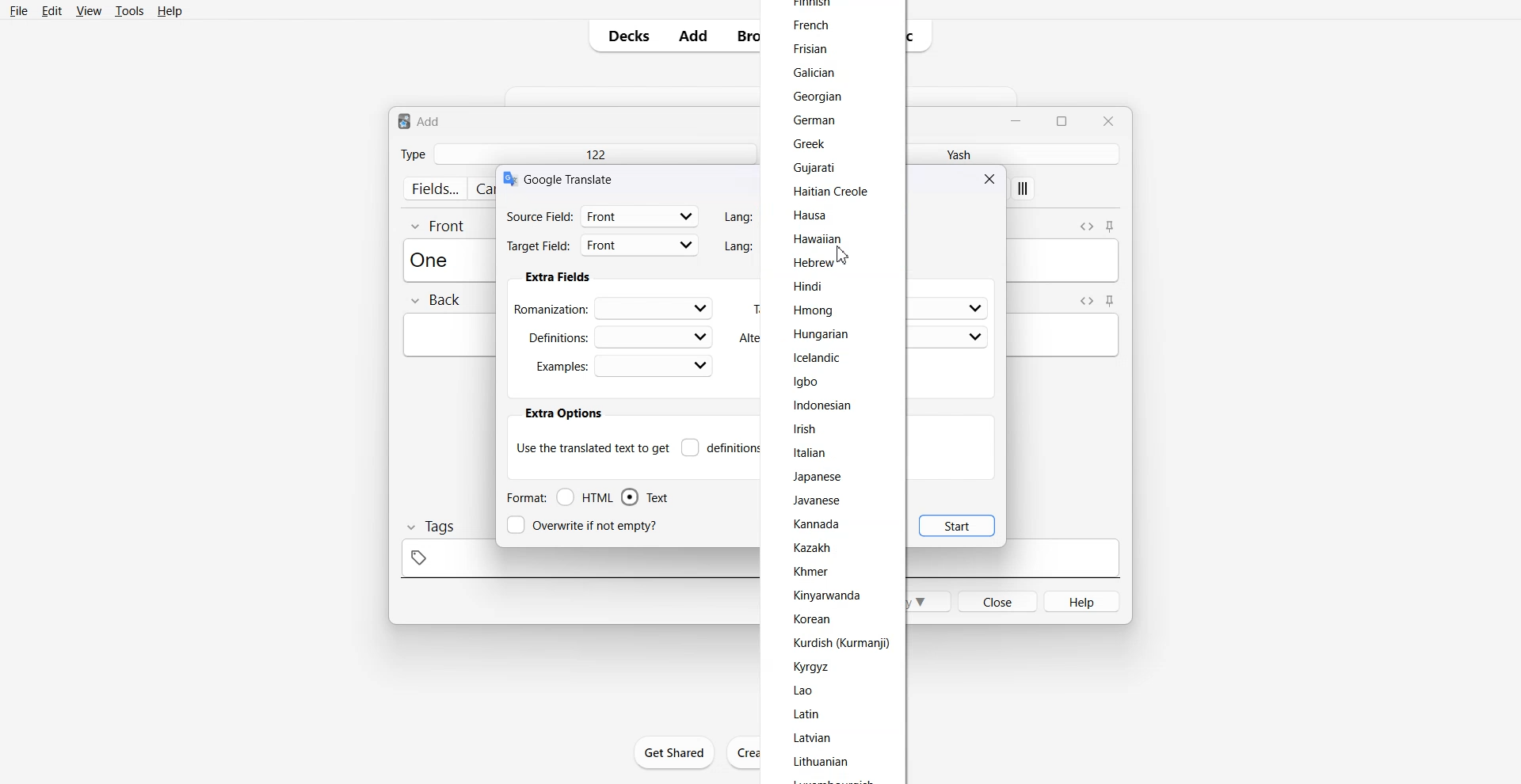 This screenshot has width=1521, height=784. I want to click on Lithuanian, so click(822, 762).